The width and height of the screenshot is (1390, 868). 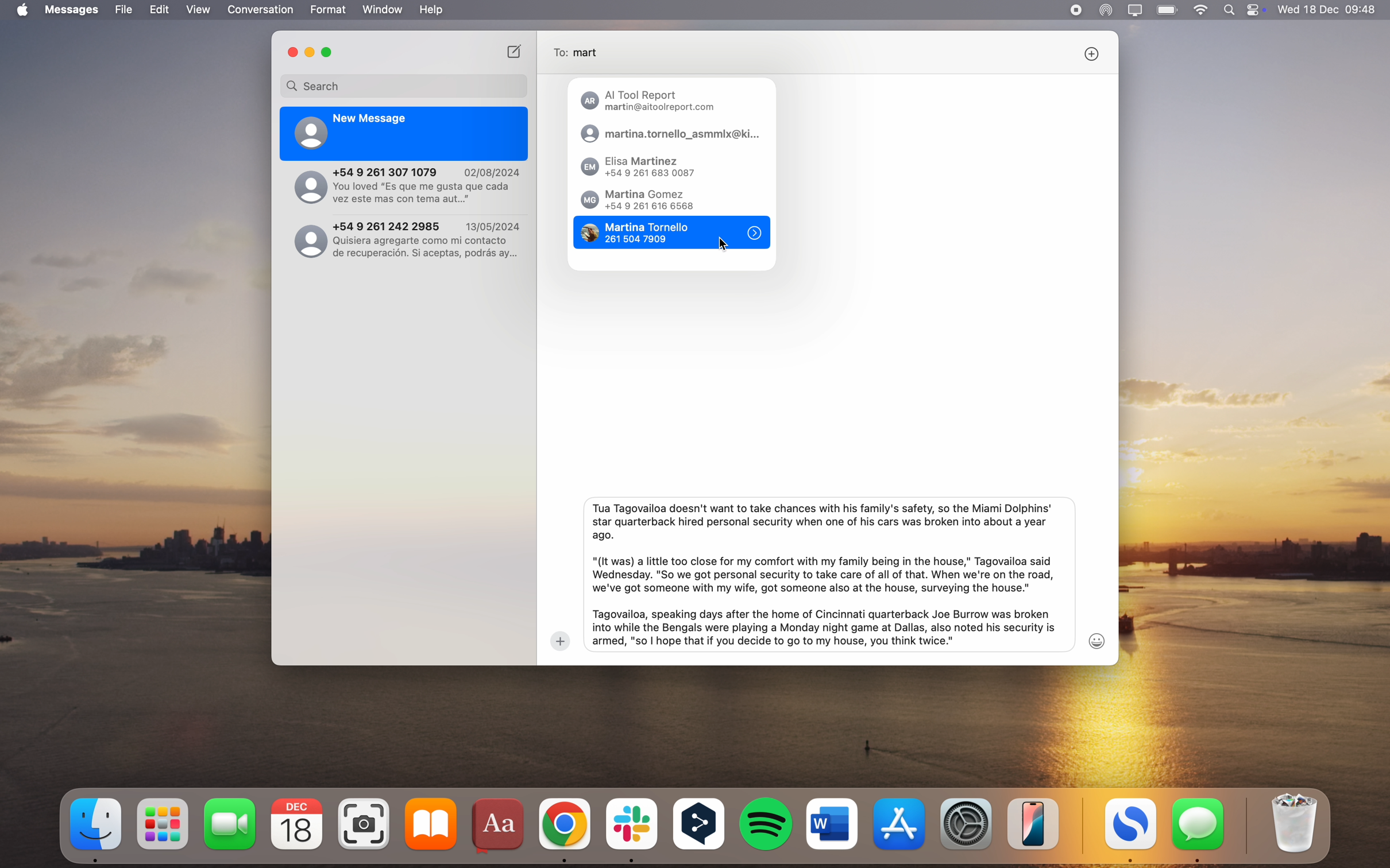 What do you see at coordinates (642, 233) in the screenshot?
I see `martina tornello` at bounding box center [642, 233].